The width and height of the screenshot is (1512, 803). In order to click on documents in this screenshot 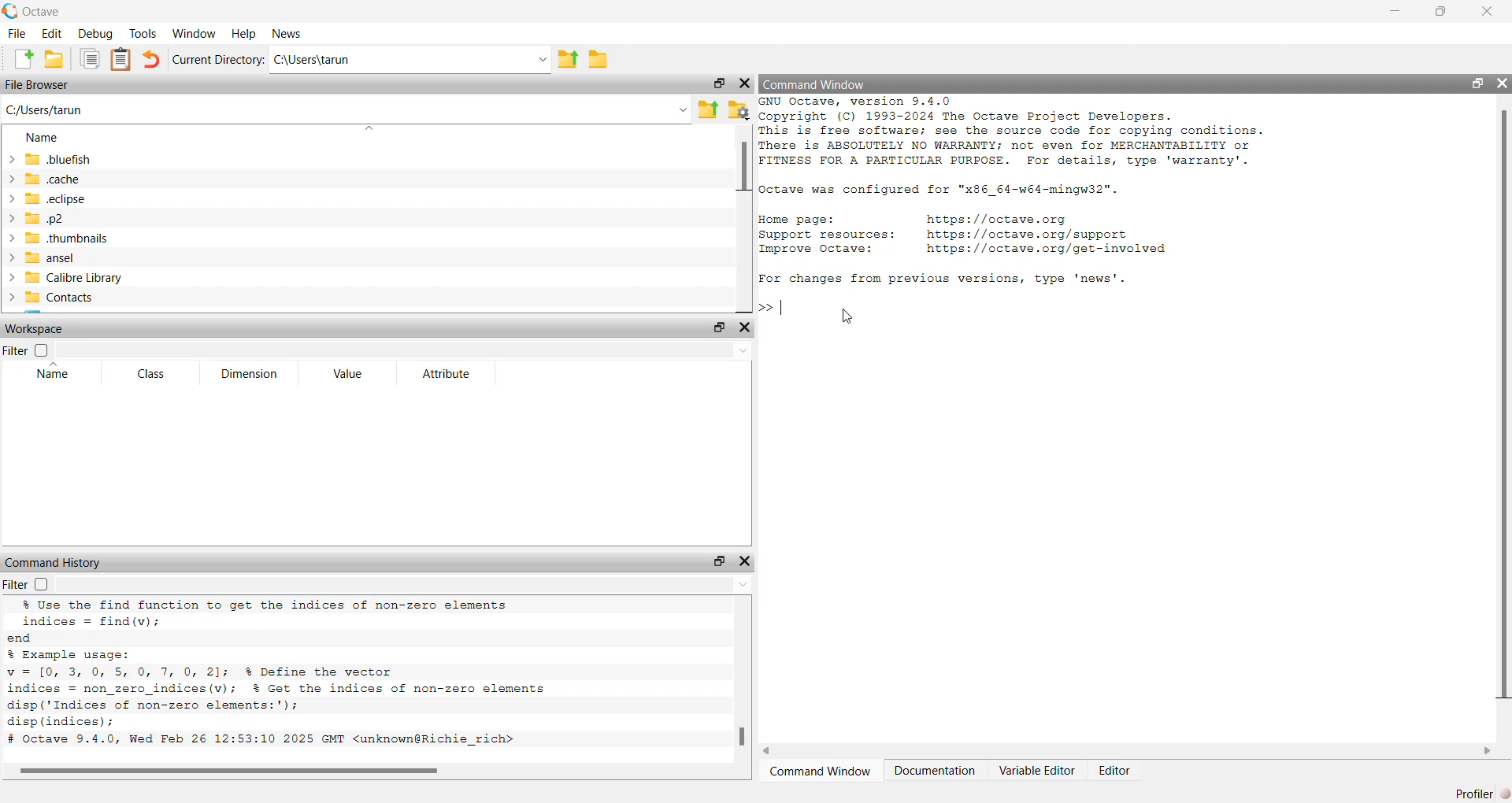, I will do `click(91, 62)`.